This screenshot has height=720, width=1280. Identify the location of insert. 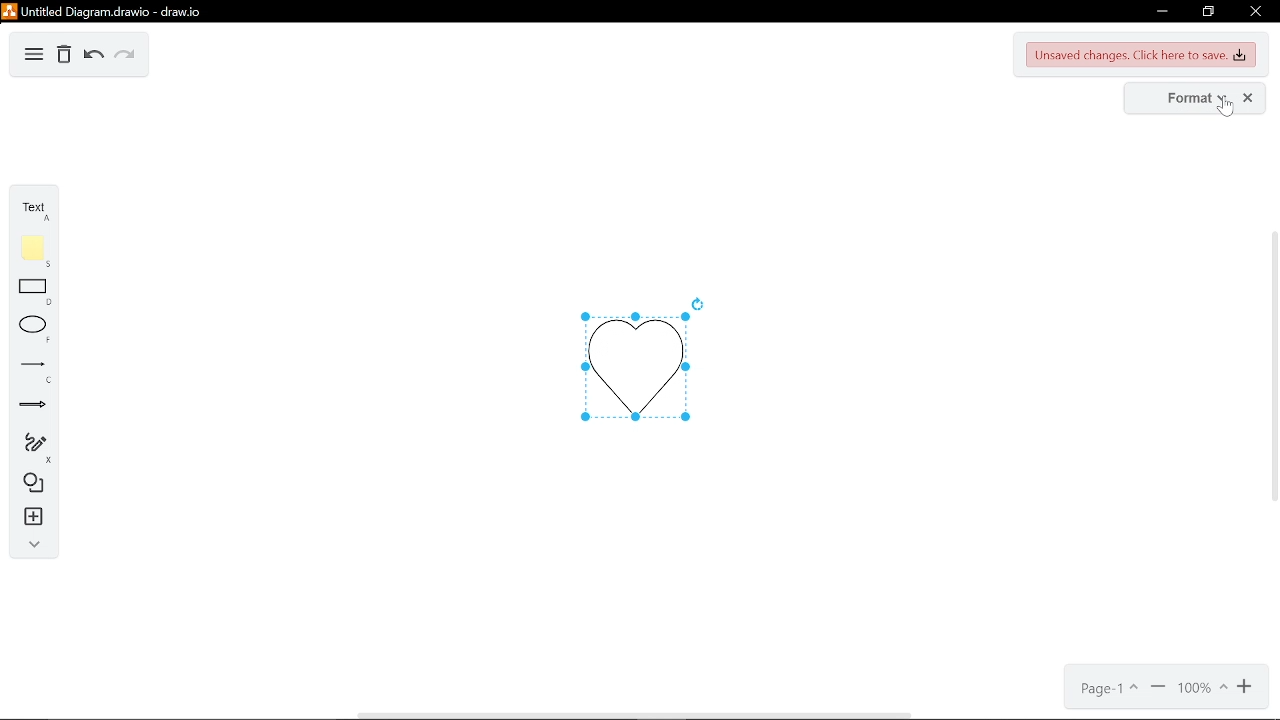
(31, 516).